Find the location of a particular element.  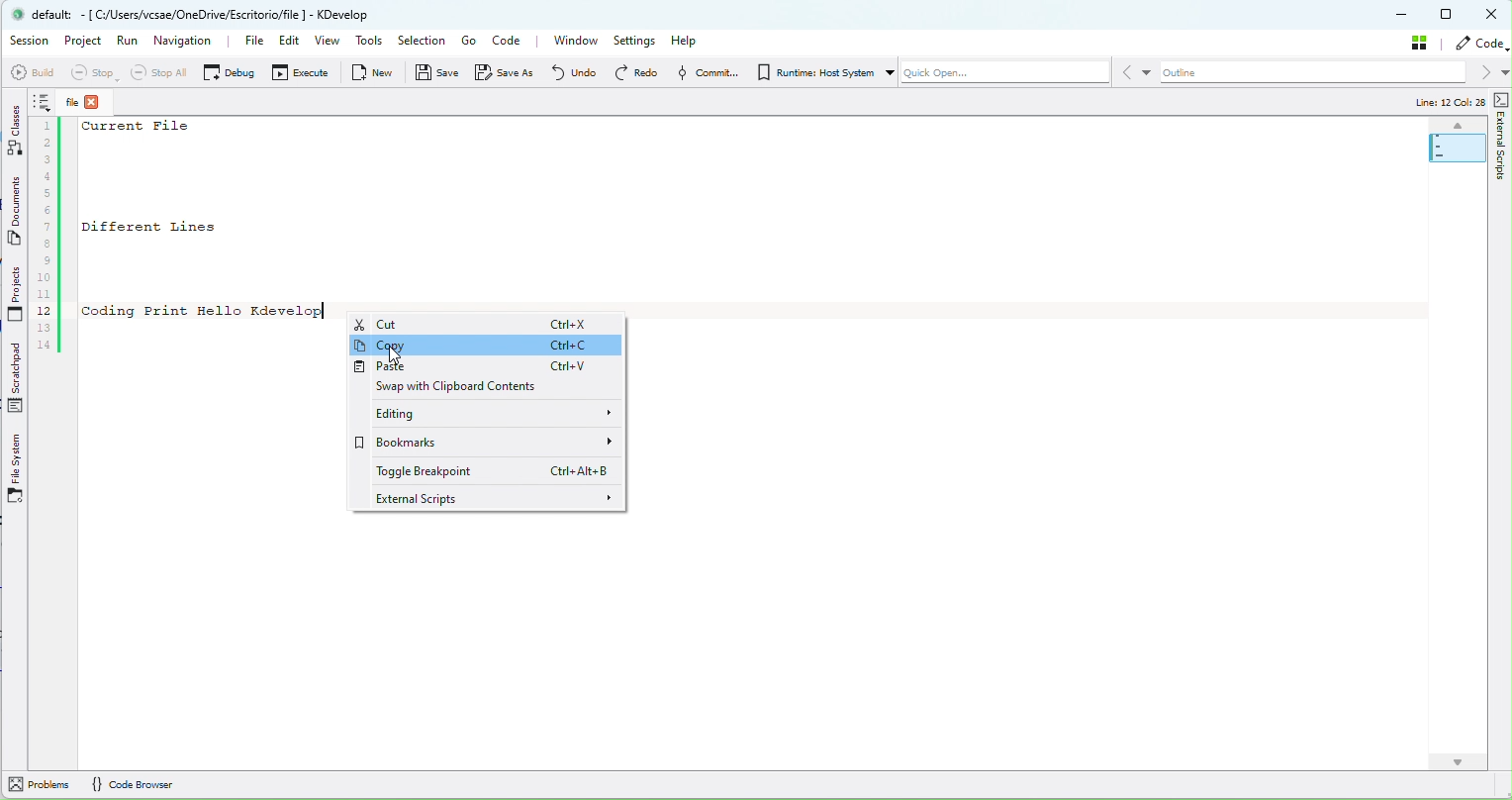

Scratchpad is located at coordinates (18, 379).